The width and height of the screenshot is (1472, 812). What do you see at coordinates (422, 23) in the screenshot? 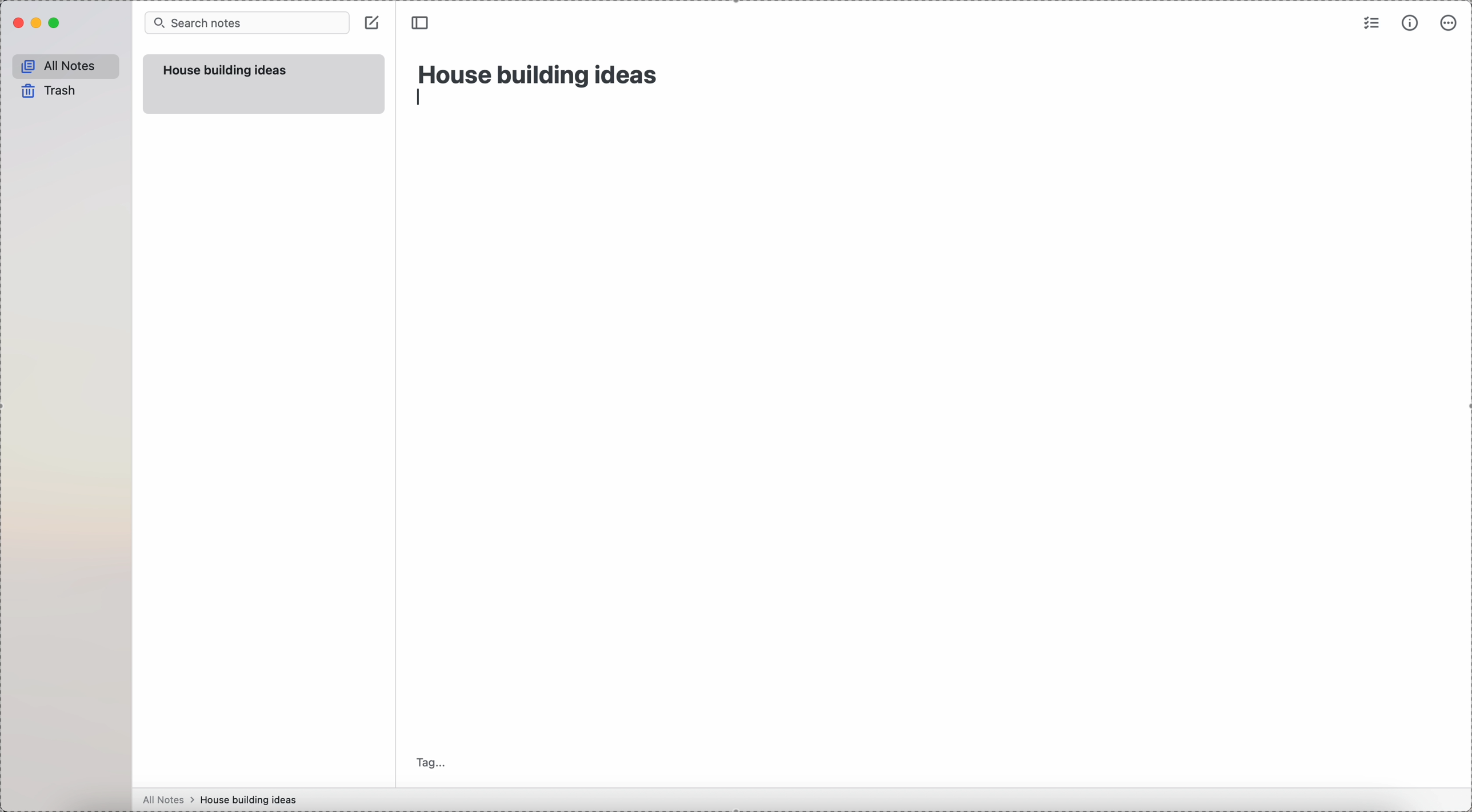
I see `toggle sidebar` at bounding box center [422, 23].